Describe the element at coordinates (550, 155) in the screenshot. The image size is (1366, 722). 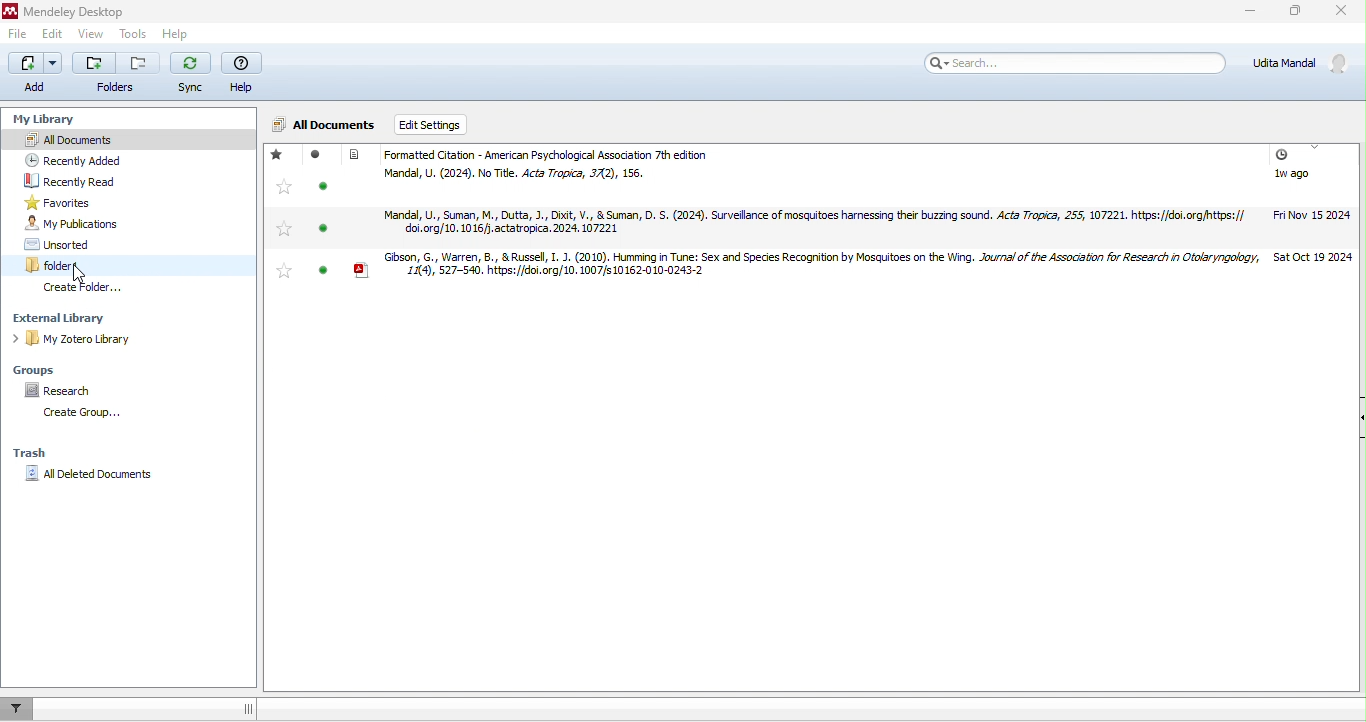
I see `‘Formatted Gitation - American Psychological Assocation 7th edition` at that location.